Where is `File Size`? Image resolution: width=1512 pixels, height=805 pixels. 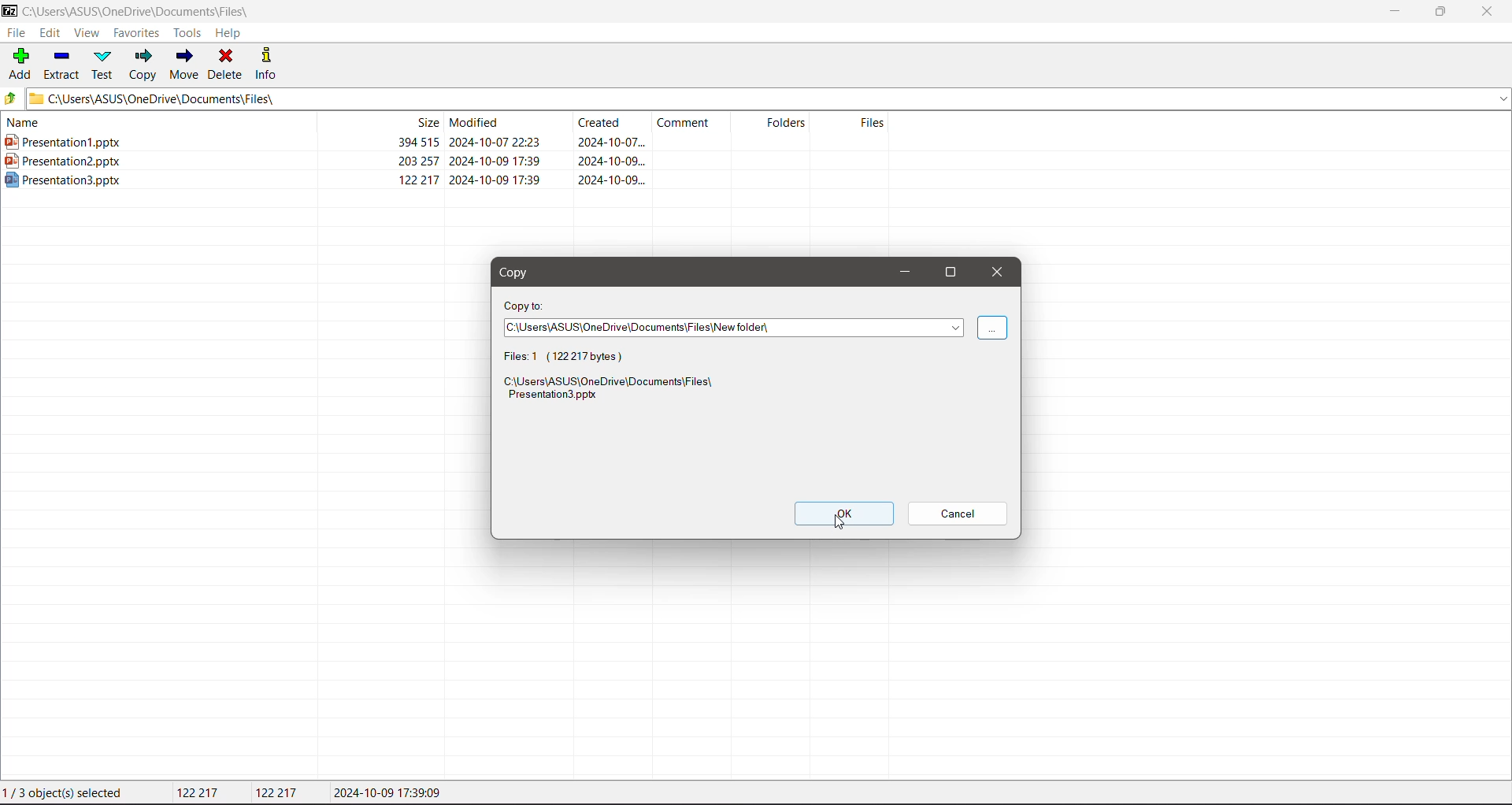 File Size is located at coordinates (378, 122).